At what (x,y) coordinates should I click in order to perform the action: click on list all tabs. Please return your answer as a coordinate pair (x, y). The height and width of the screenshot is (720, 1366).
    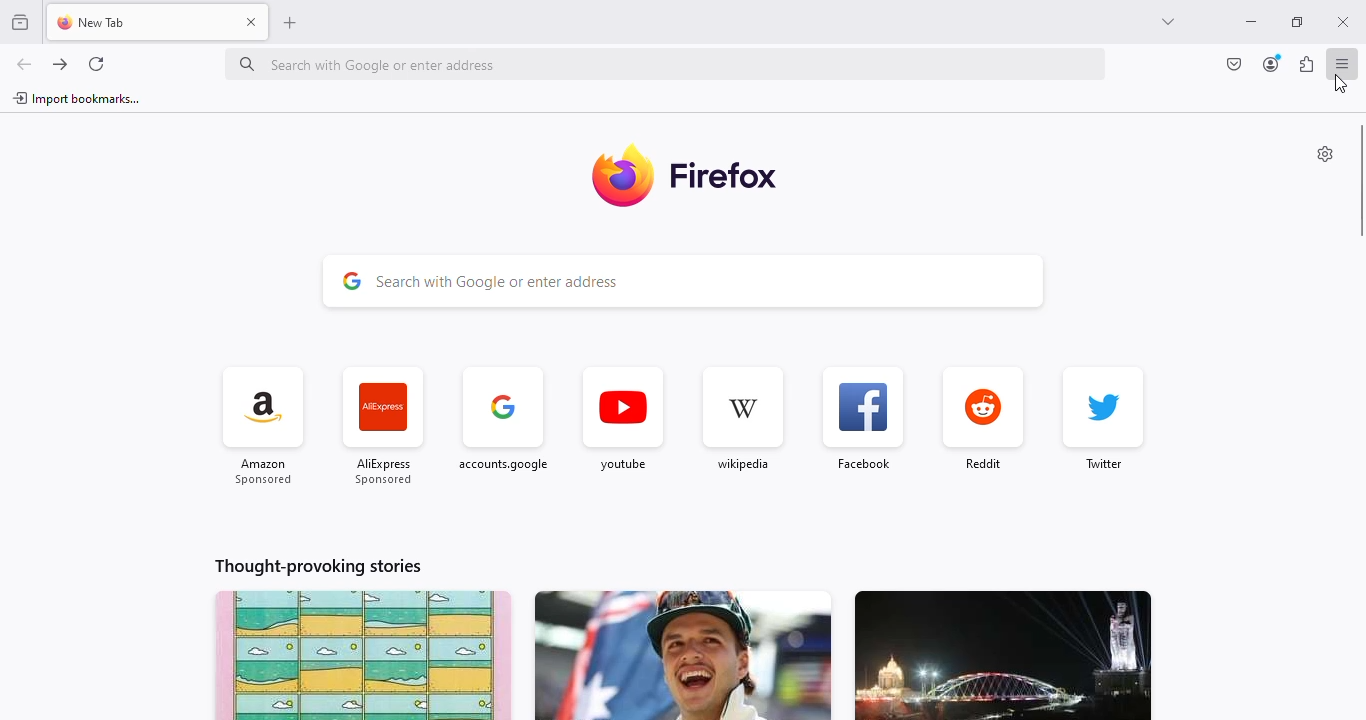
    Looking at the image, I should click on (1170, 22).